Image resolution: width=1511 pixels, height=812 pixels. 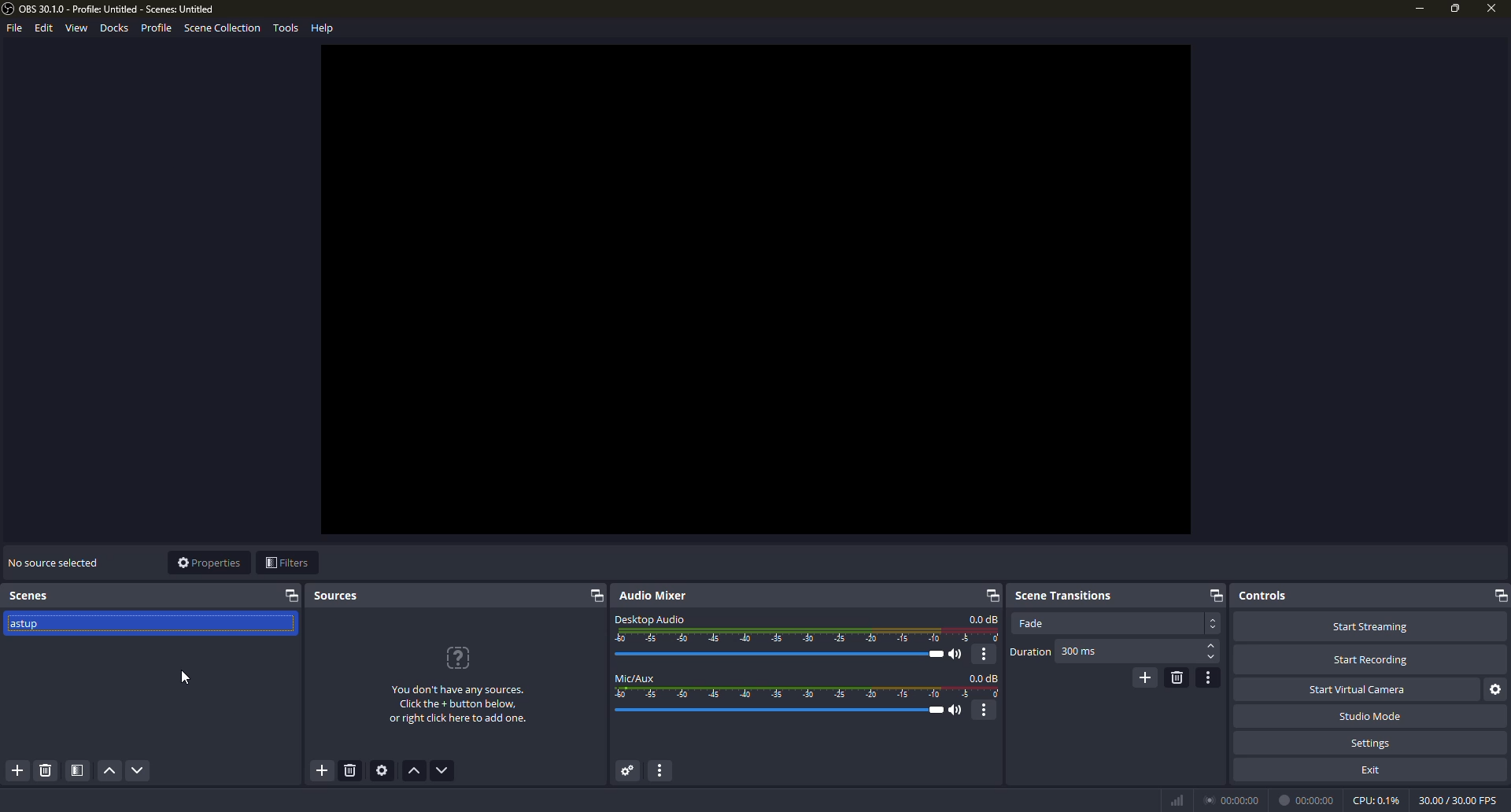 I want to click on db, so click(x=985, y=677).